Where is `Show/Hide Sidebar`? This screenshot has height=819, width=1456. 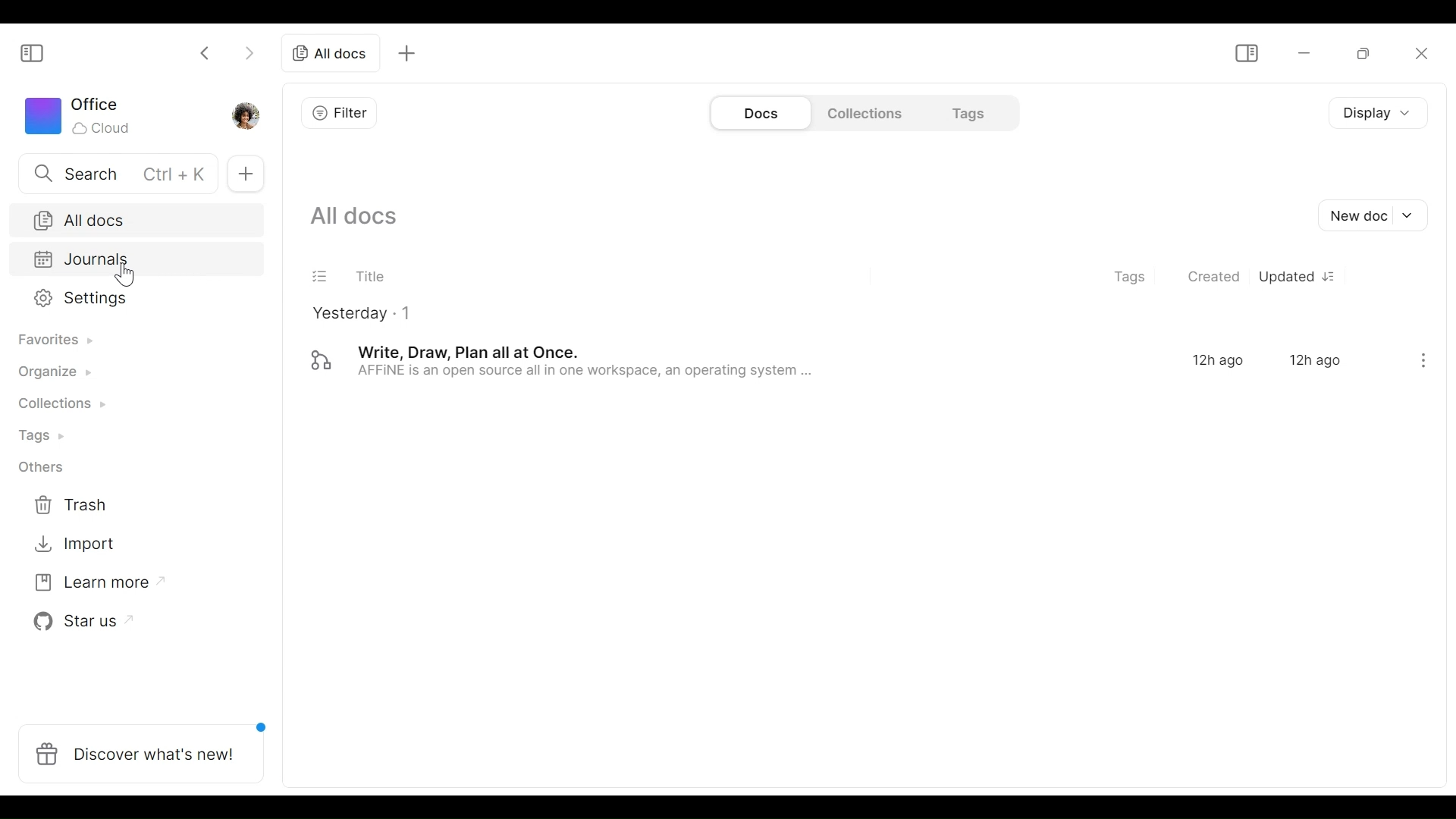
Show/Hide Sidebar is located at coordinates (1246, 54).